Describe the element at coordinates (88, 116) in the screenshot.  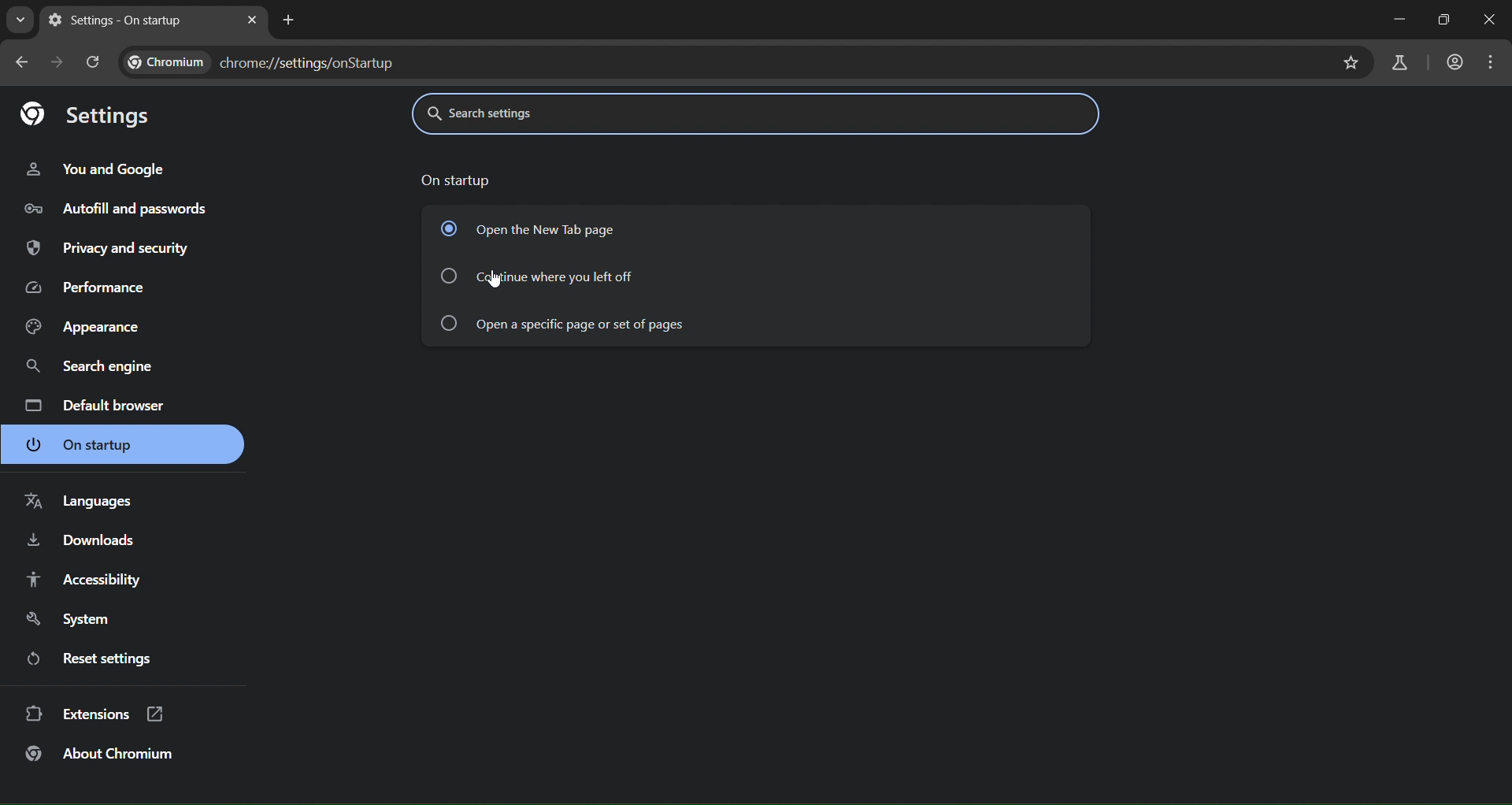
I see `settings` at that location.